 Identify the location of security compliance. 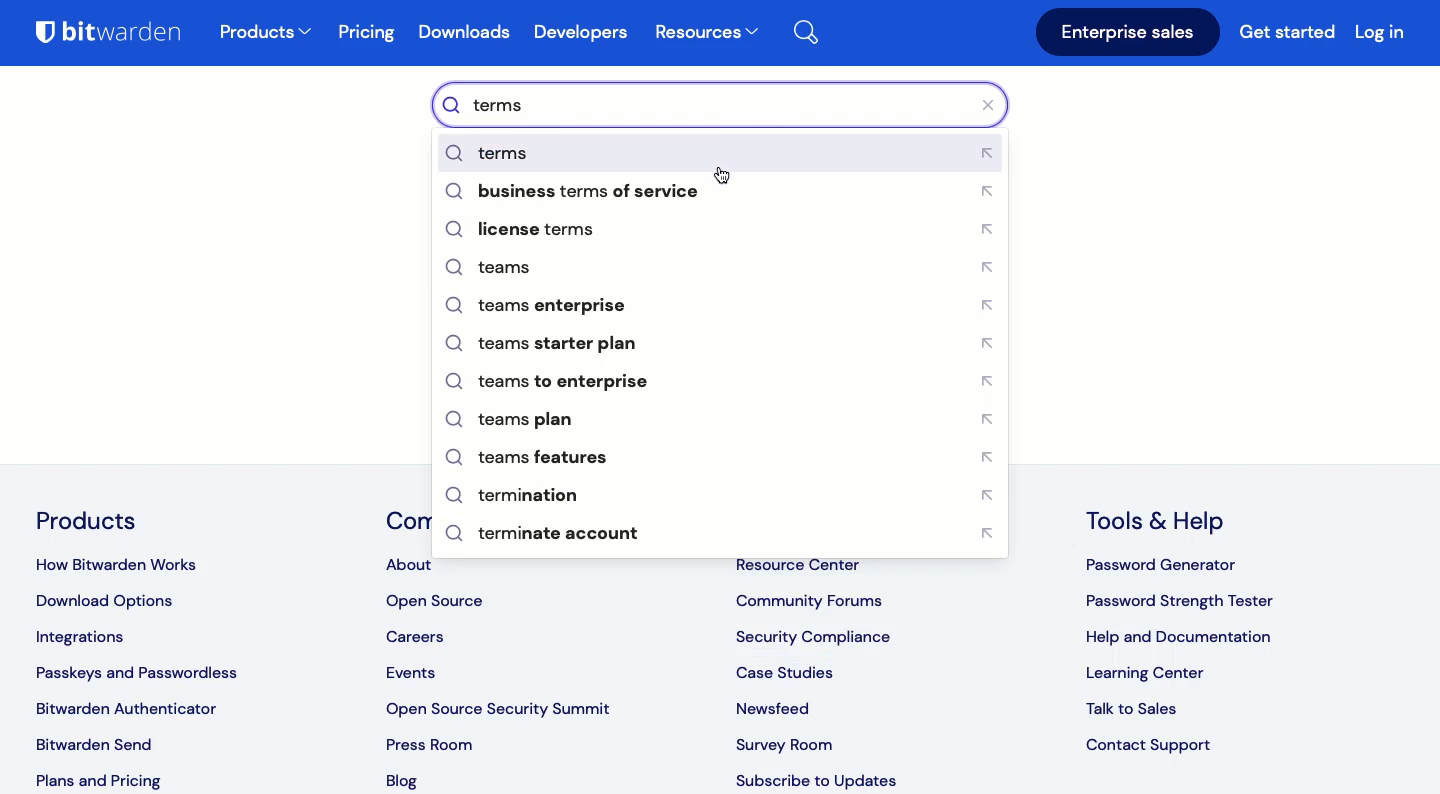
(818, 633).